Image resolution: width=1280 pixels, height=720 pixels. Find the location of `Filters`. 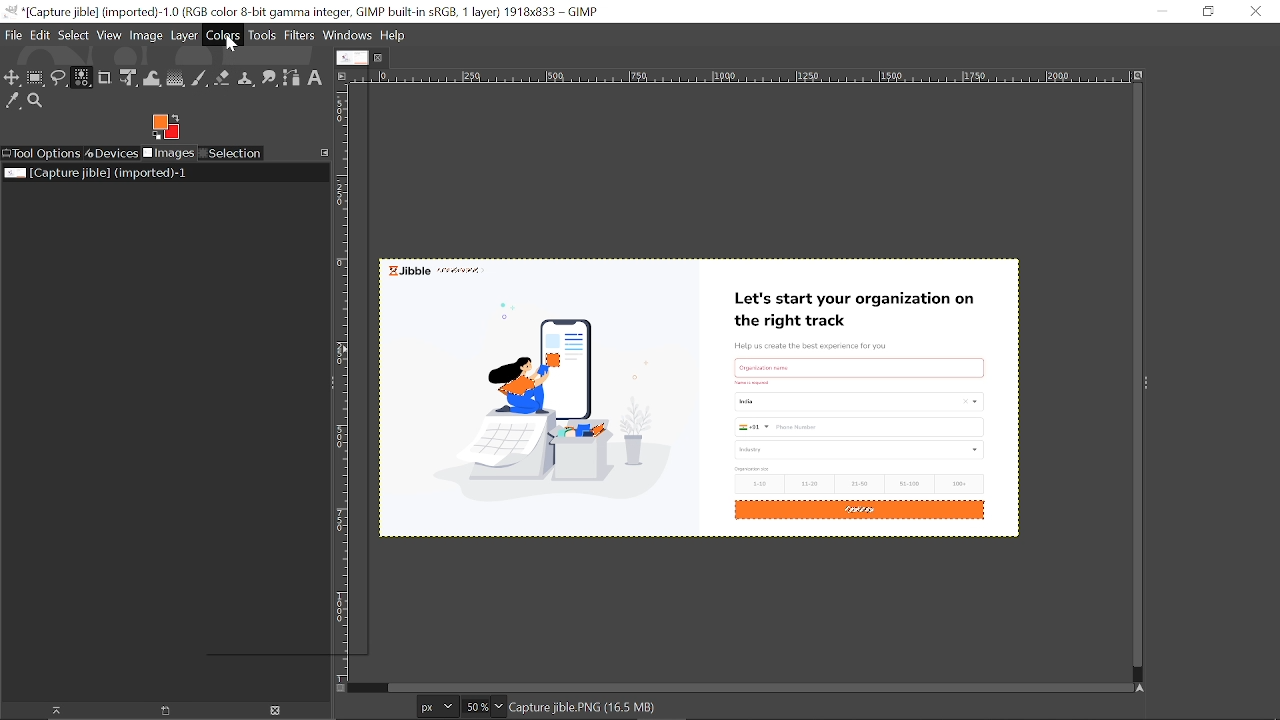

Filters is located at coordinates (300, 36).